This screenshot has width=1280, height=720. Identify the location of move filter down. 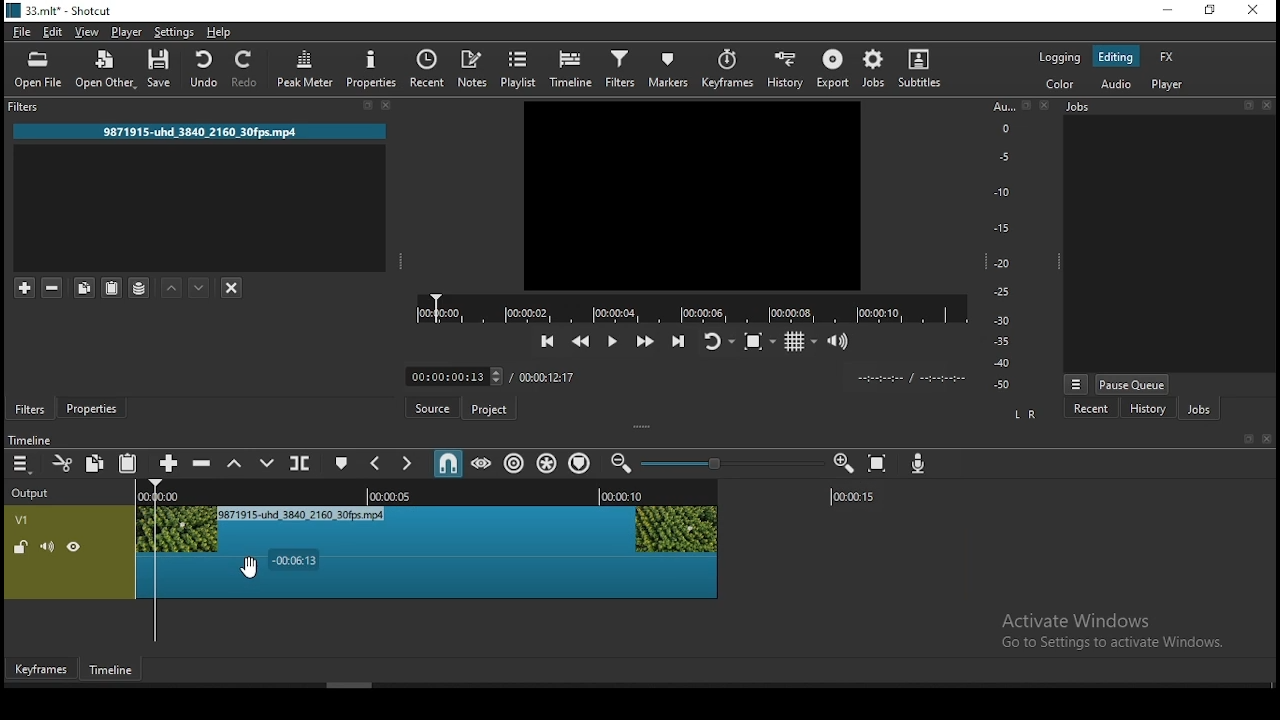
(201, 286).